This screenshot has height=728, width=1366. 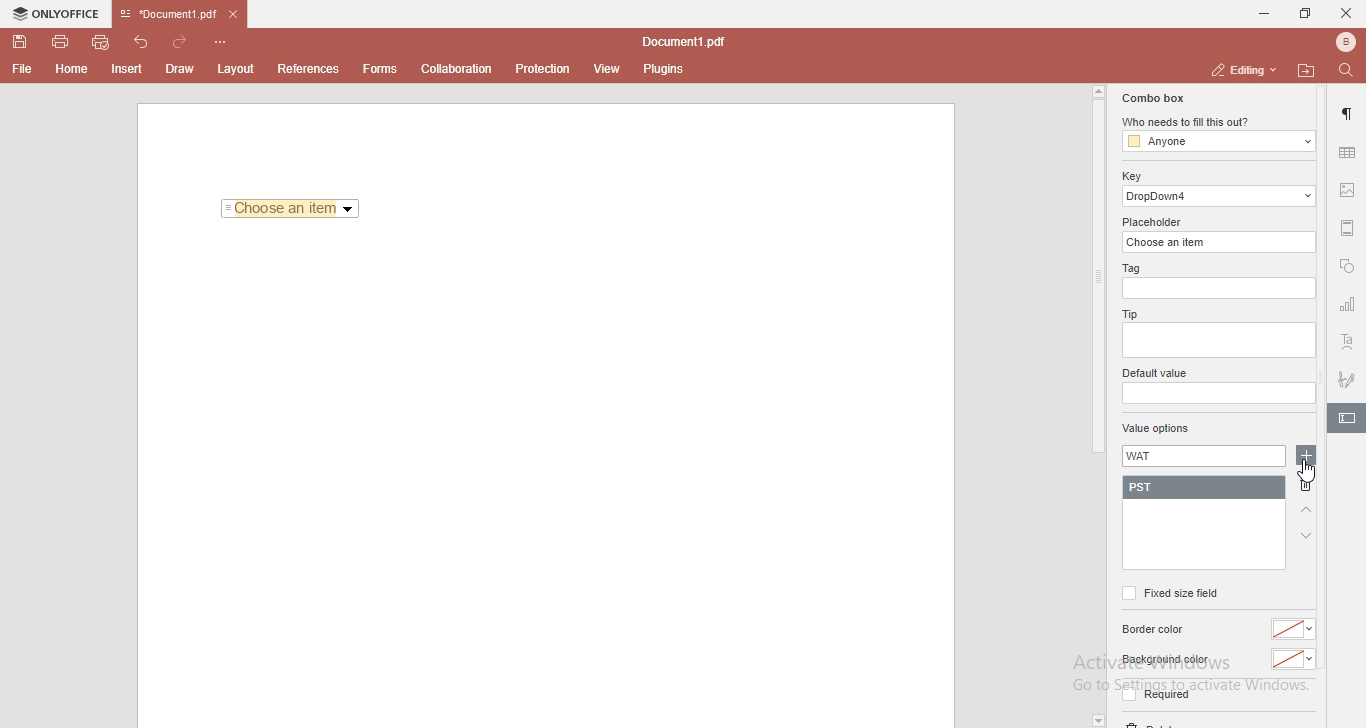 I want to click on cursor, so click(x=1310, y=475).